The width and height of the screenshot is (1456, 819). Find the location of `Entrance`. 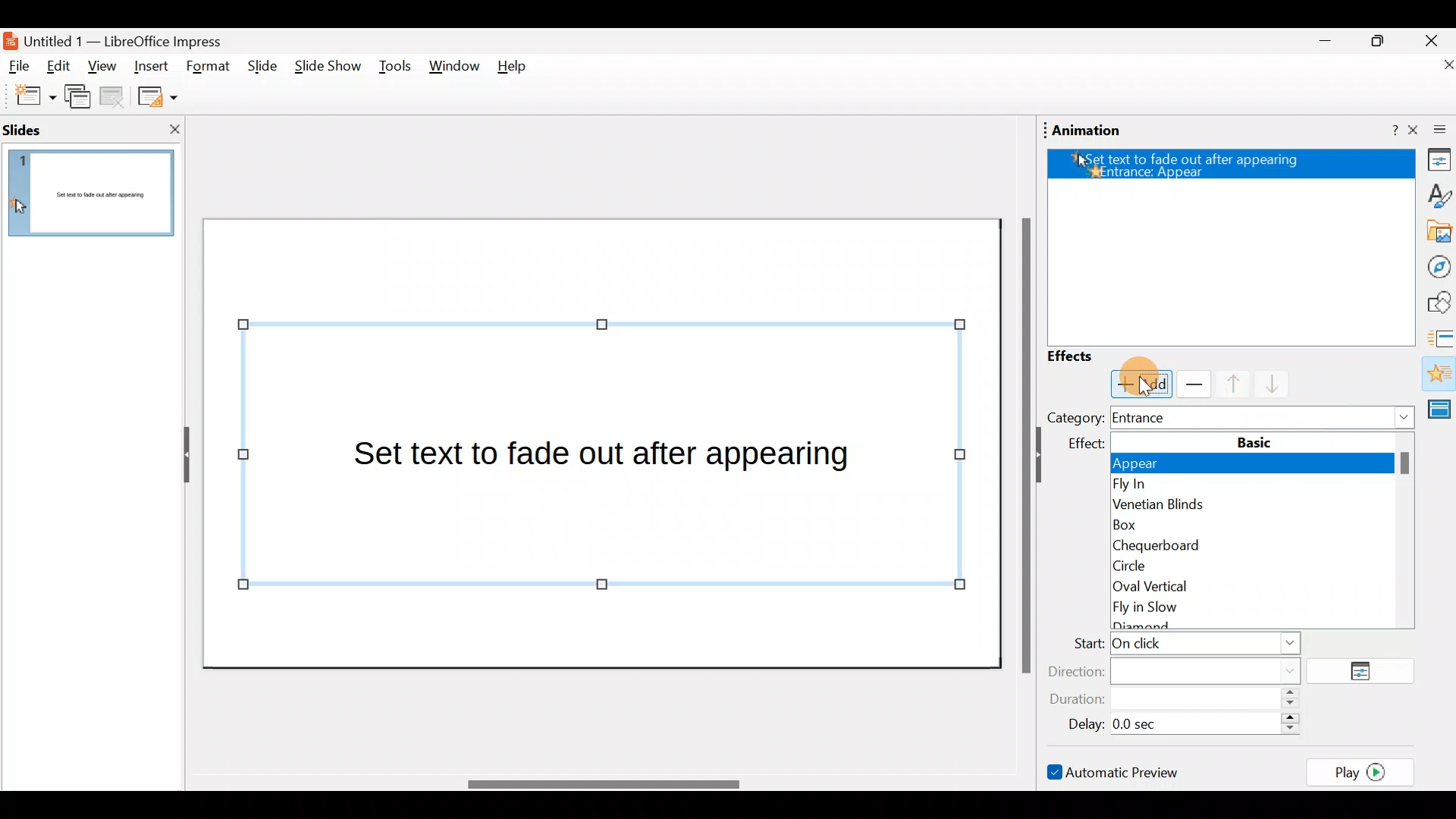

Entrance is located at coordinates (1265, 417).